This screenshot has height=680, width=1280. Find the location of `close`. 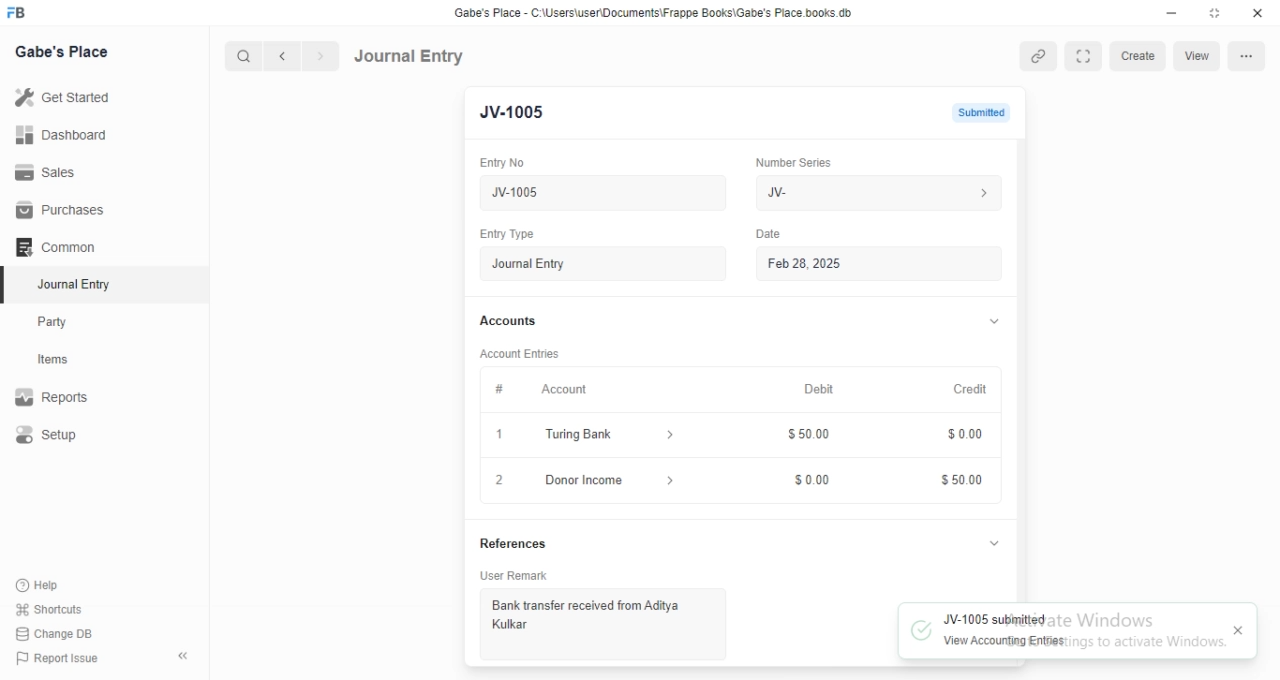

close is located at coordinates (497, 480).